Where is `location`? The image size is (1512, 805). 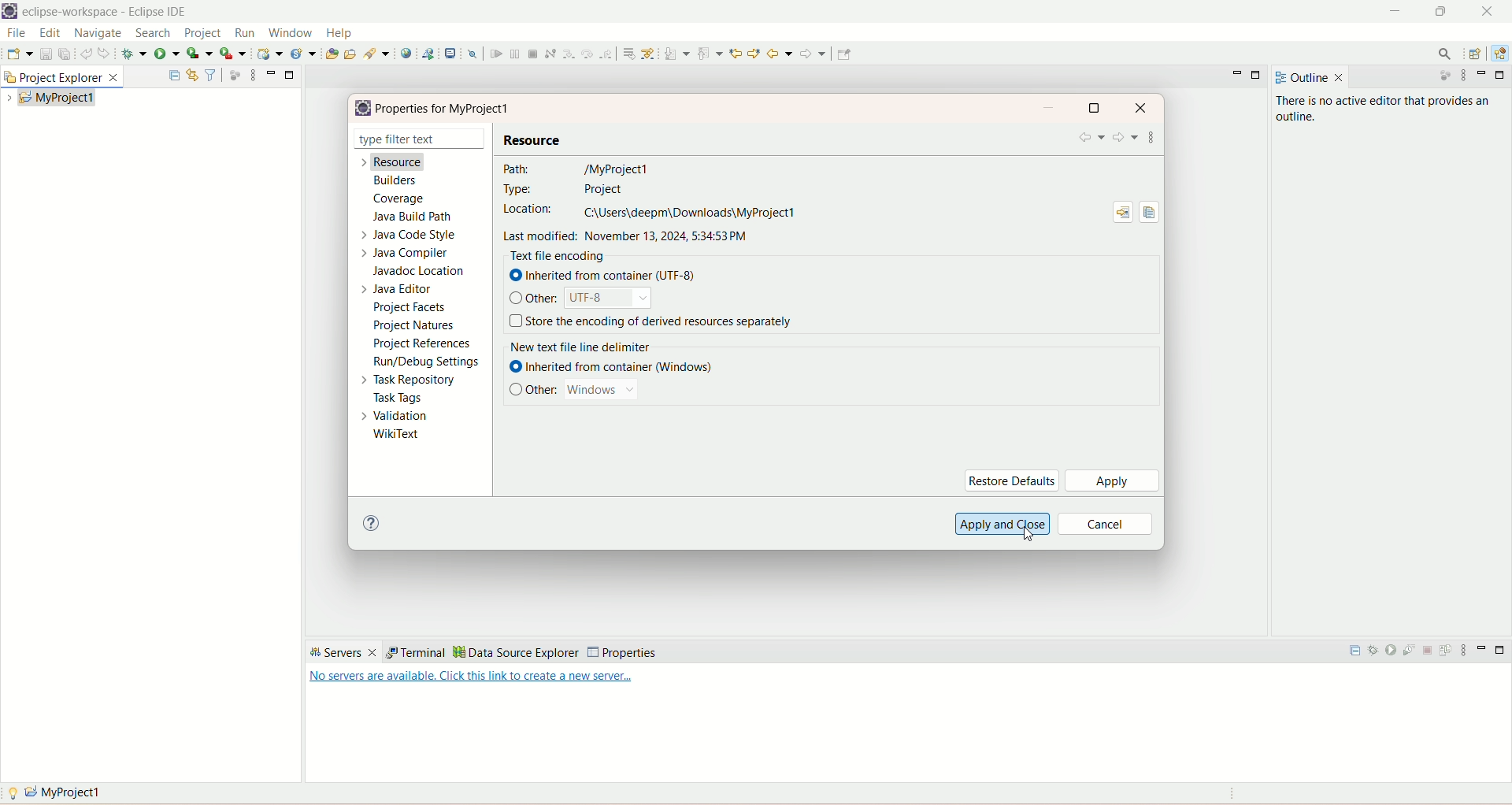
location is located at coordinates (650, 212).